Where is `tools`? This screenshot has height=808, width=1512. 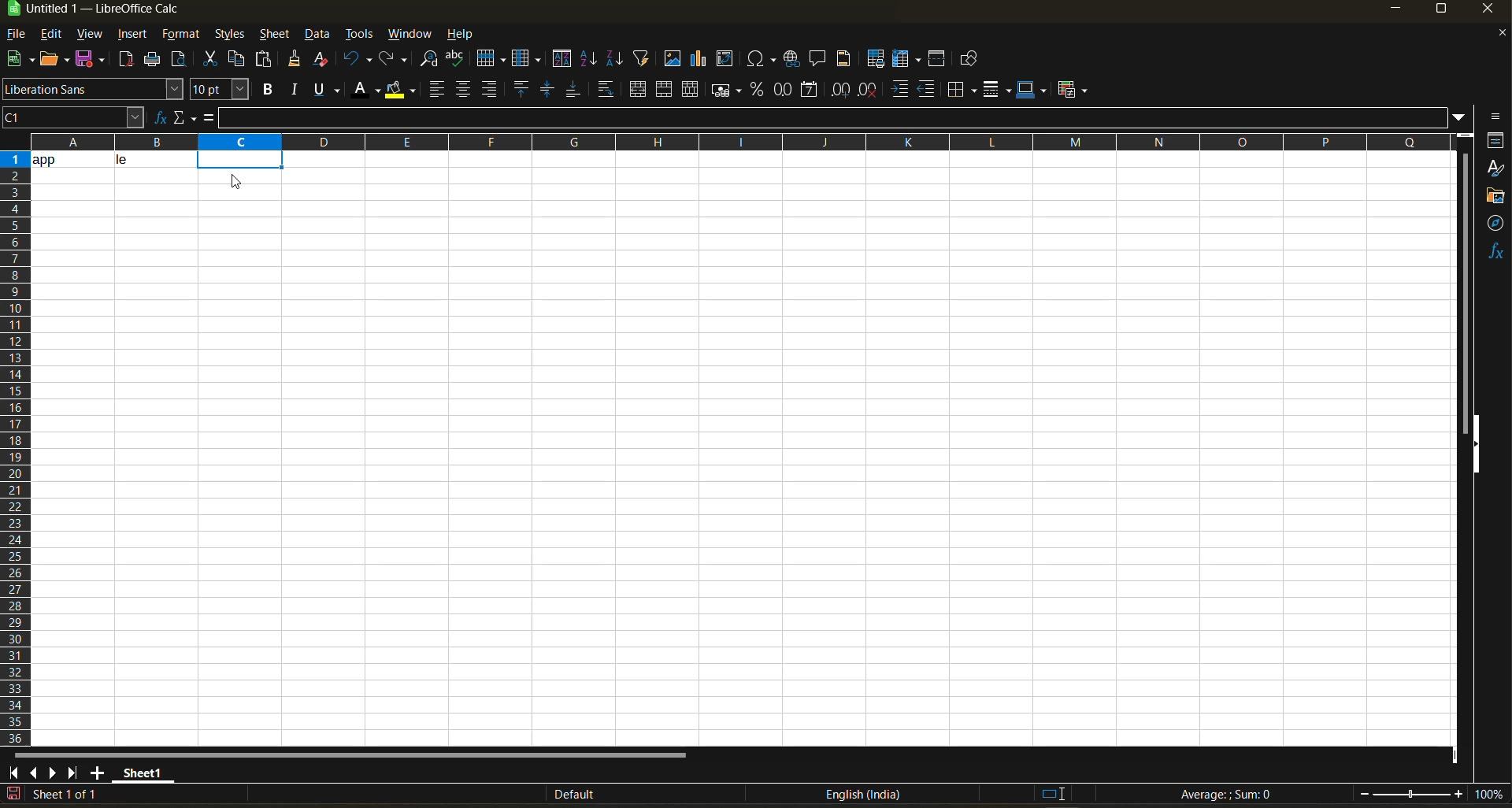
tools is located at coordinates (359, 36).